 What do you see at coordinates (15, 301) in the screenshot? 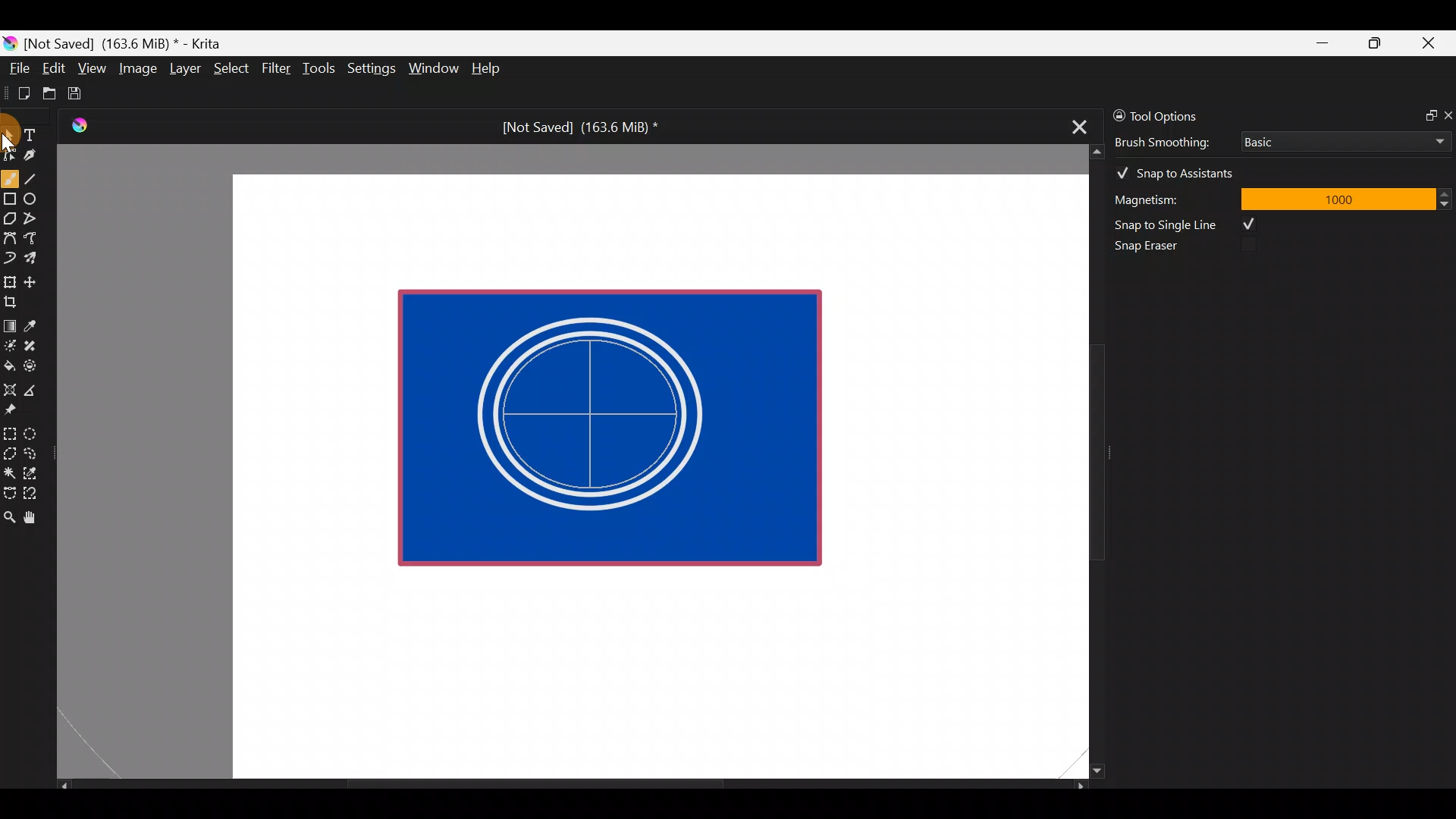
I see `Crop the image to an area` at bounding box center [15, 301].